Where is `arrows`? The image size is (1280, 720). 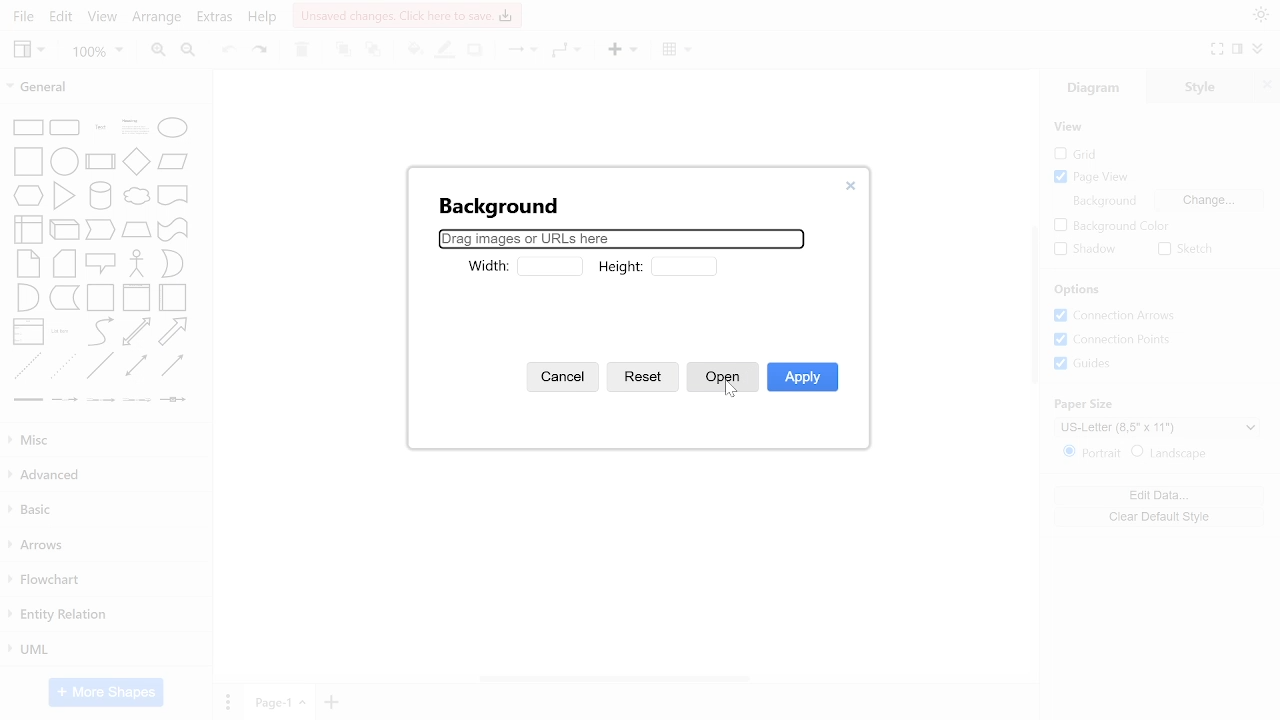
arrows is located at coordinates (104, 547).